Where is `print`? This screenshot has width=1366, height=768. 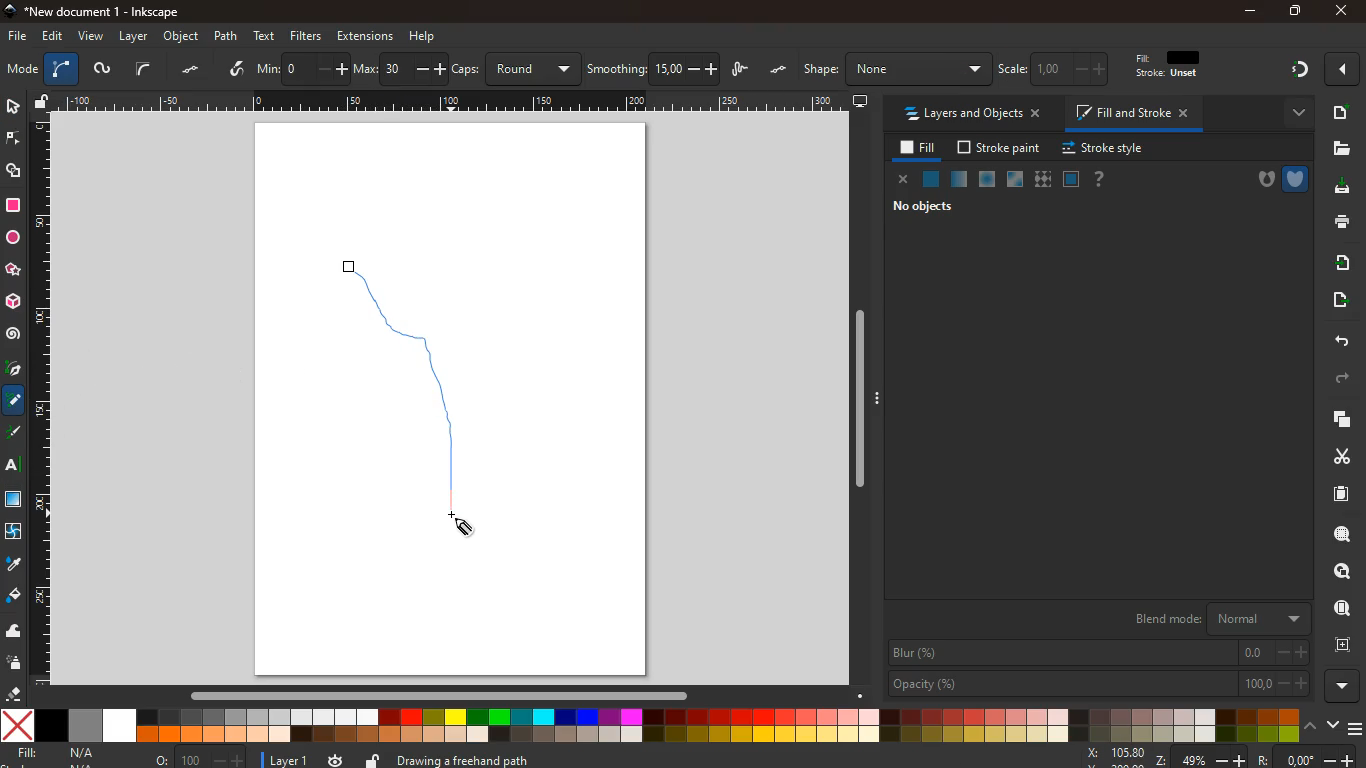 print is located at coordinates (1341, 223).